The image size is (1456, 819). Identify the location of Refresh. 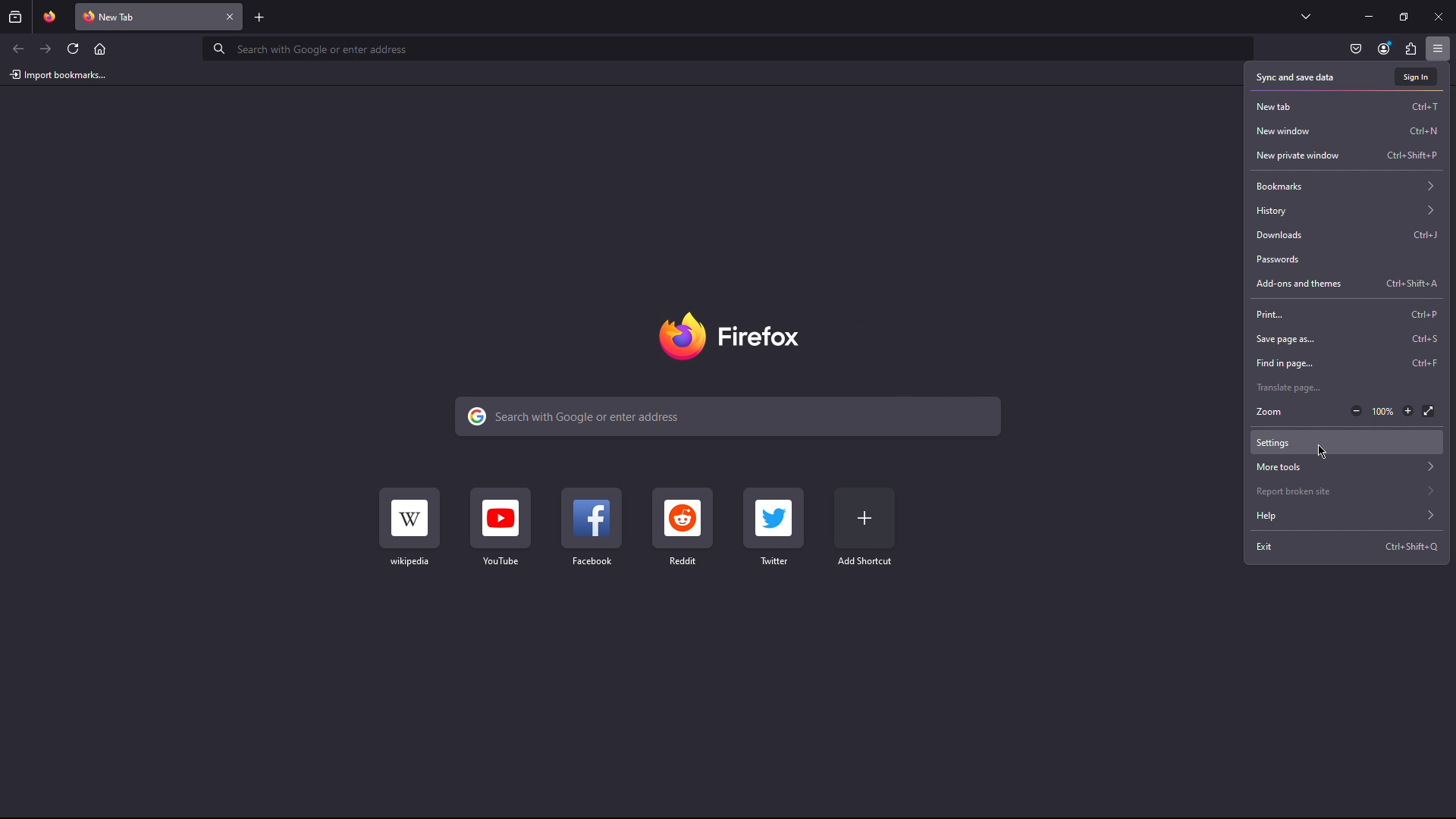
(74, 48).